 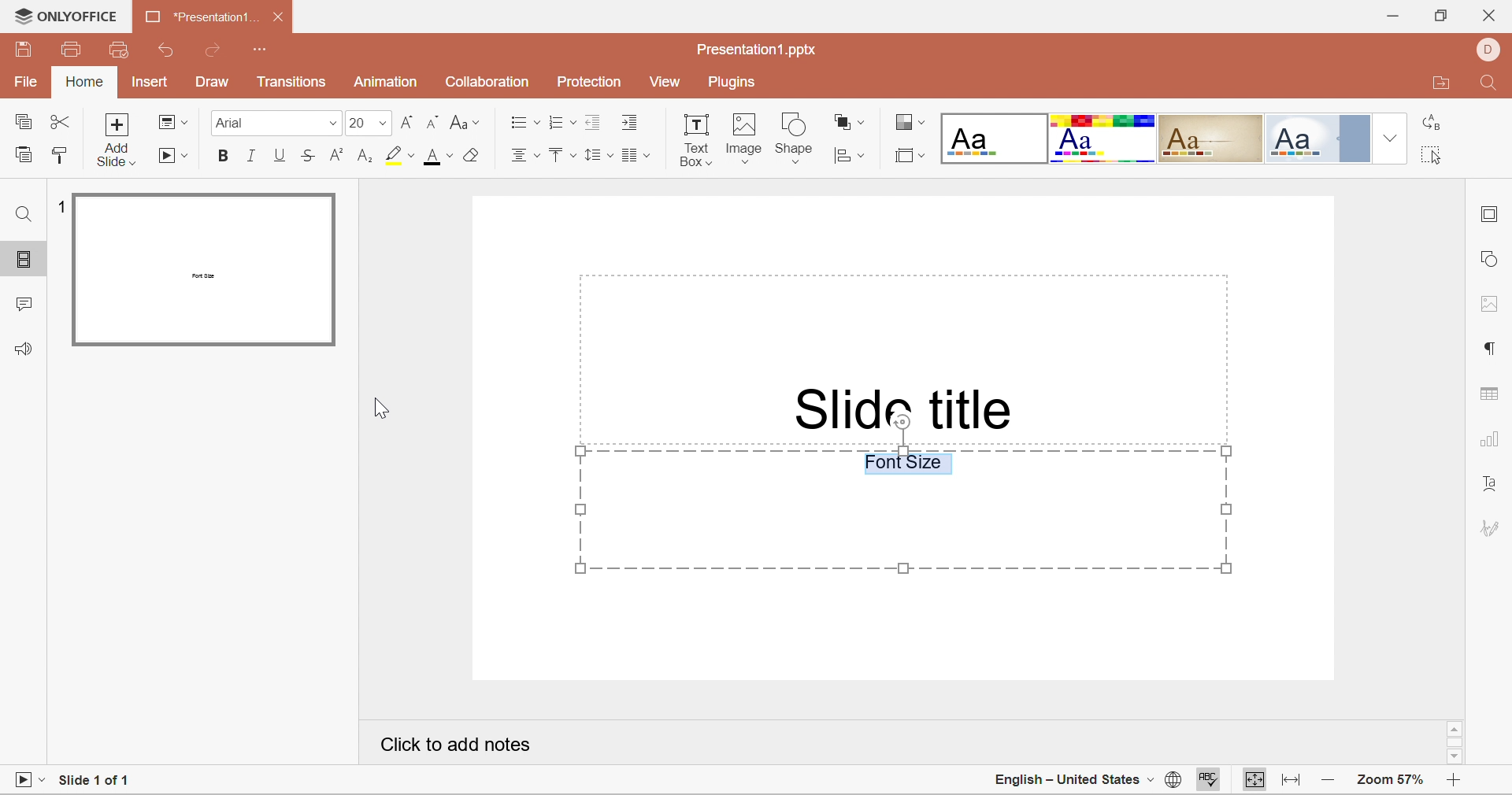 I want to click on Close, so click(x=1489, y=17).